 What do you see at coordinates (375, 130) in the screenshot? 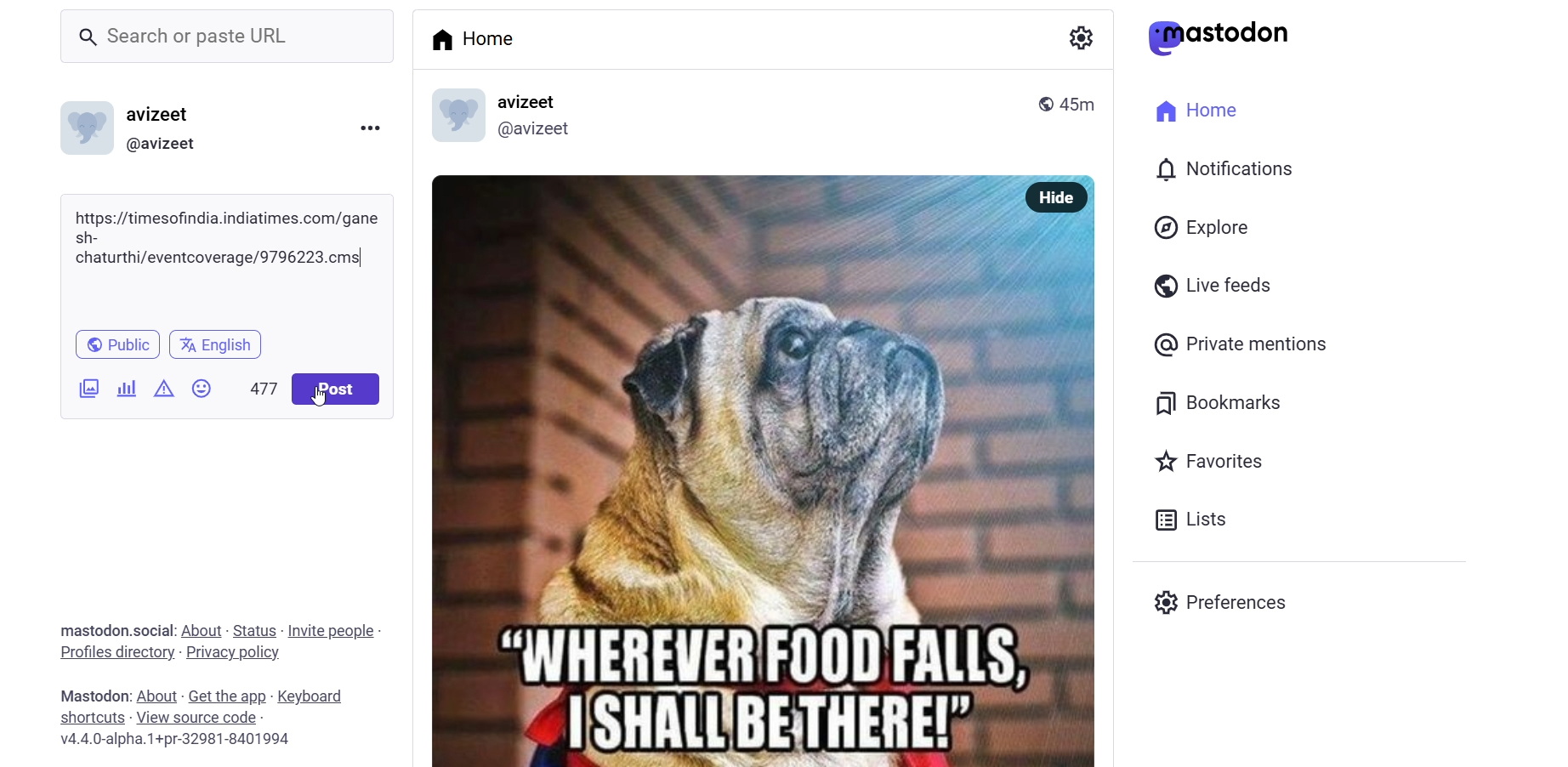
I see `more option` at bounding box center [375, 130].